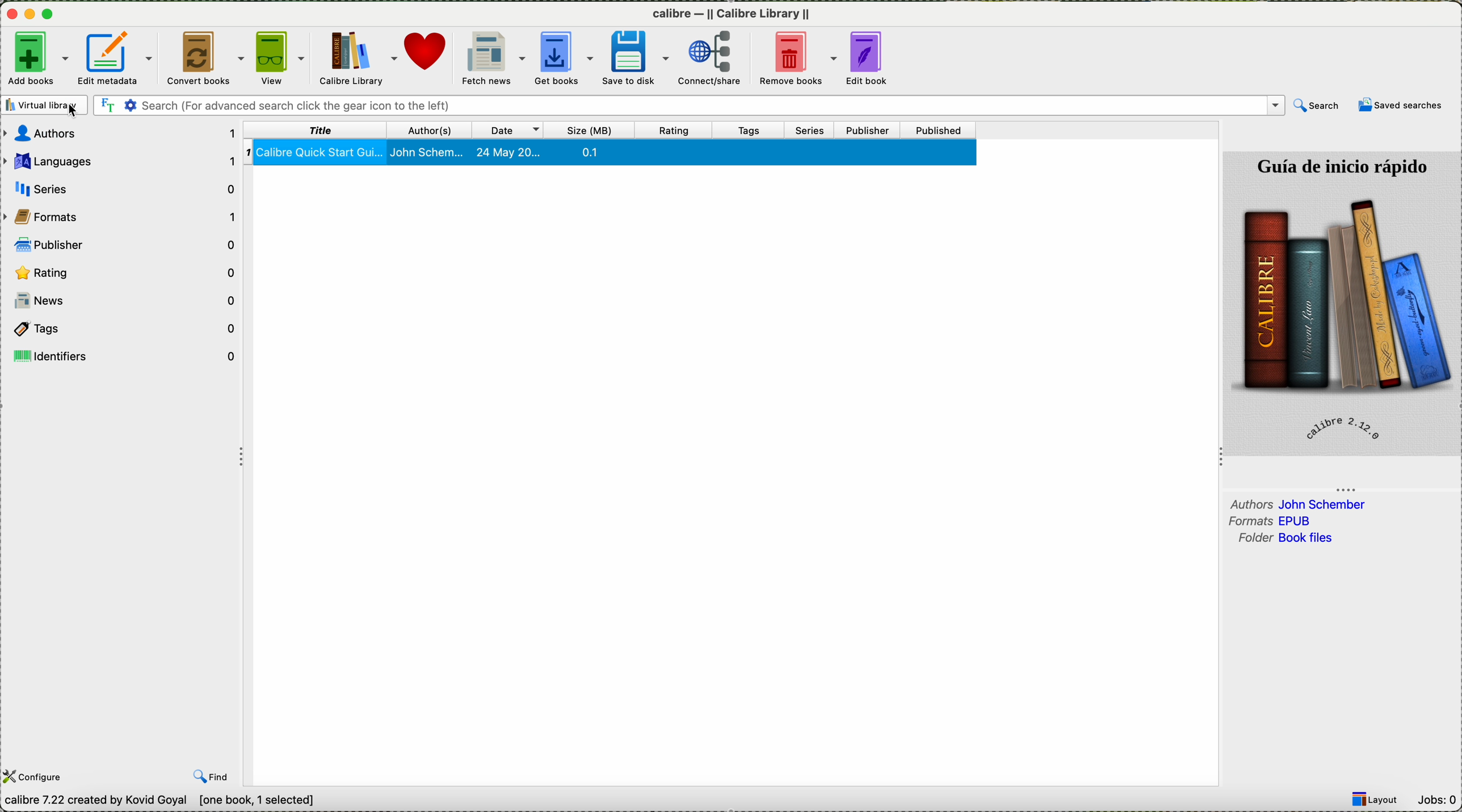 The height and width of the screenshot is (812, 1462). Describe the element at coordinates (757, 129) in the screenshot. I see `tags` at that location.